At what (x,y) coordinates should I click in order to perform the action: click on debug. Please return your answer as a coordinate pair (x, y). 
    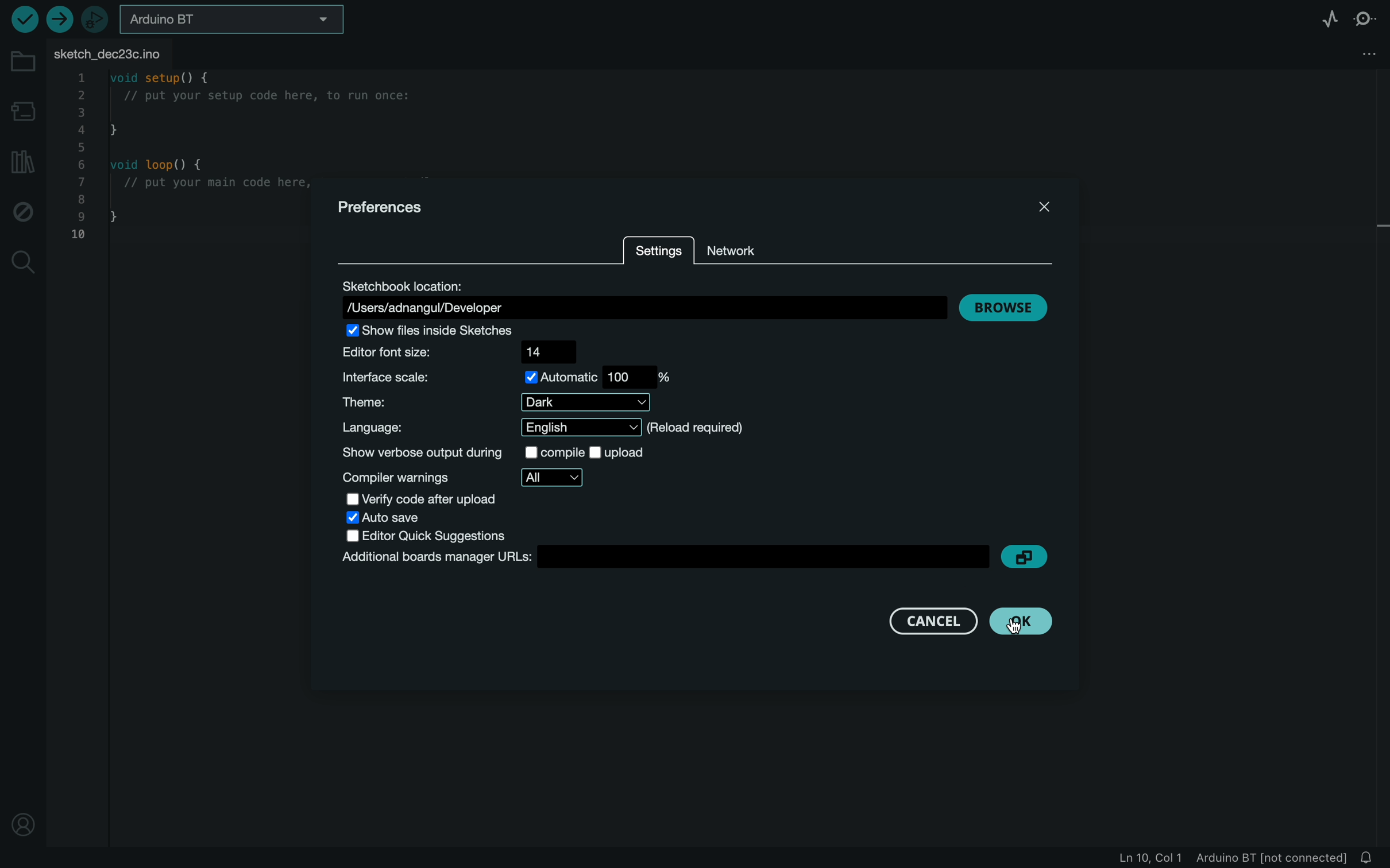
    Looking at the image, I should click on (23, 210).